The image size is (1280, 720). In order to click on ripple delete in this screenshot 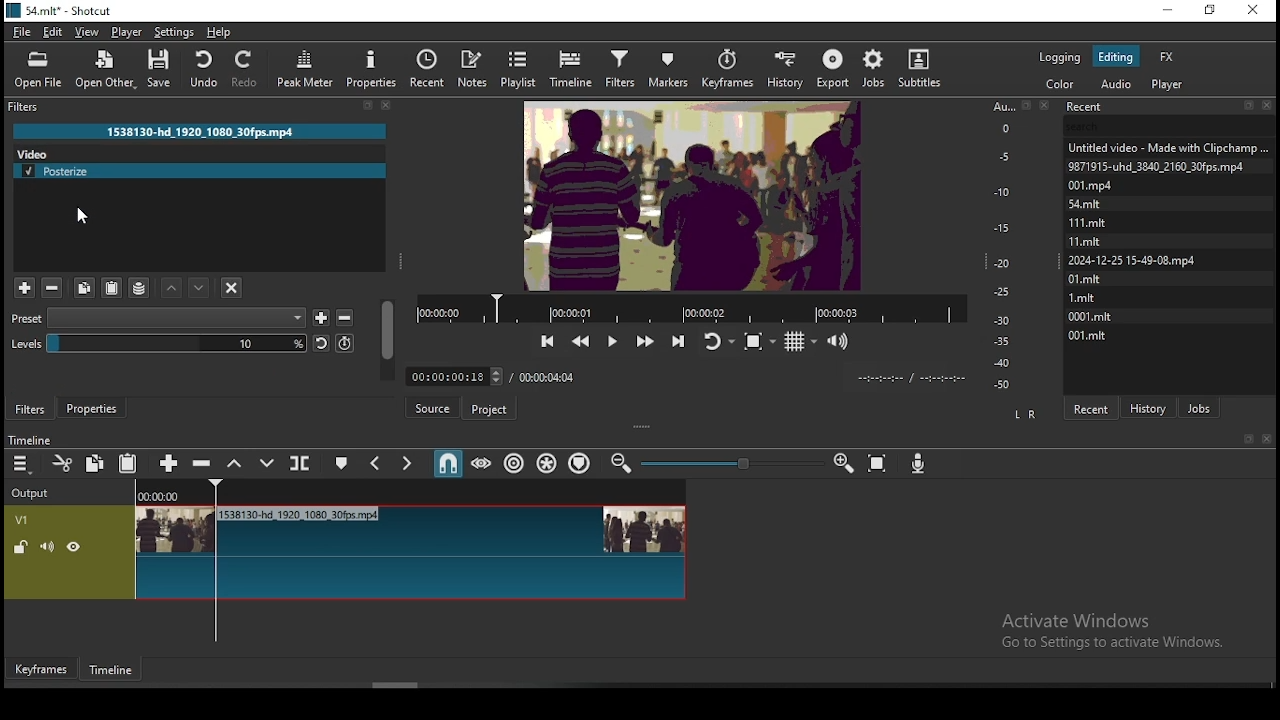, I will do `click(205, 463)`.